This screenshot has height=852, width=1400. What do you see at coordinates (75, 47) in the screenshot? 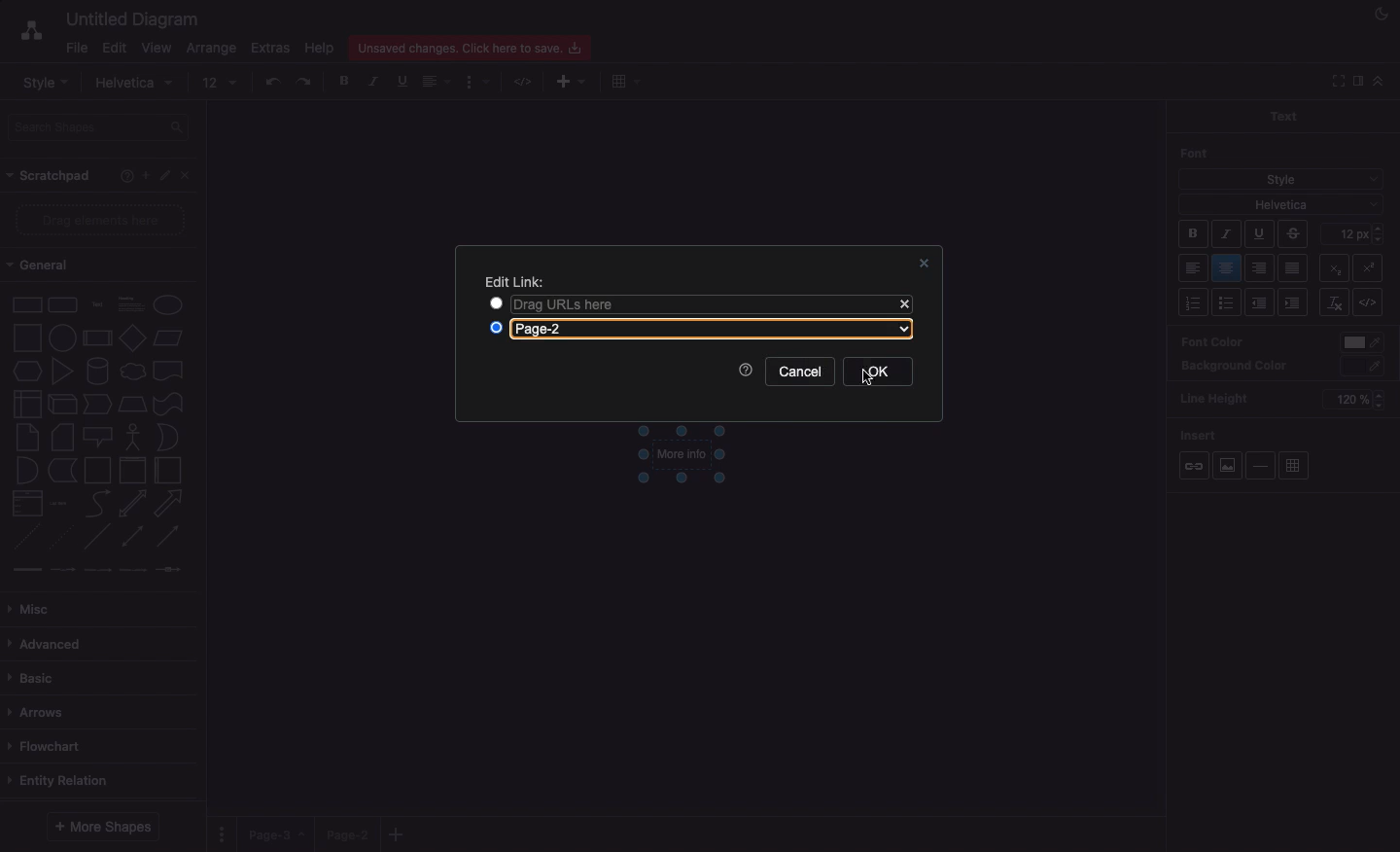
I see `File` at bounding box center [75, 47].